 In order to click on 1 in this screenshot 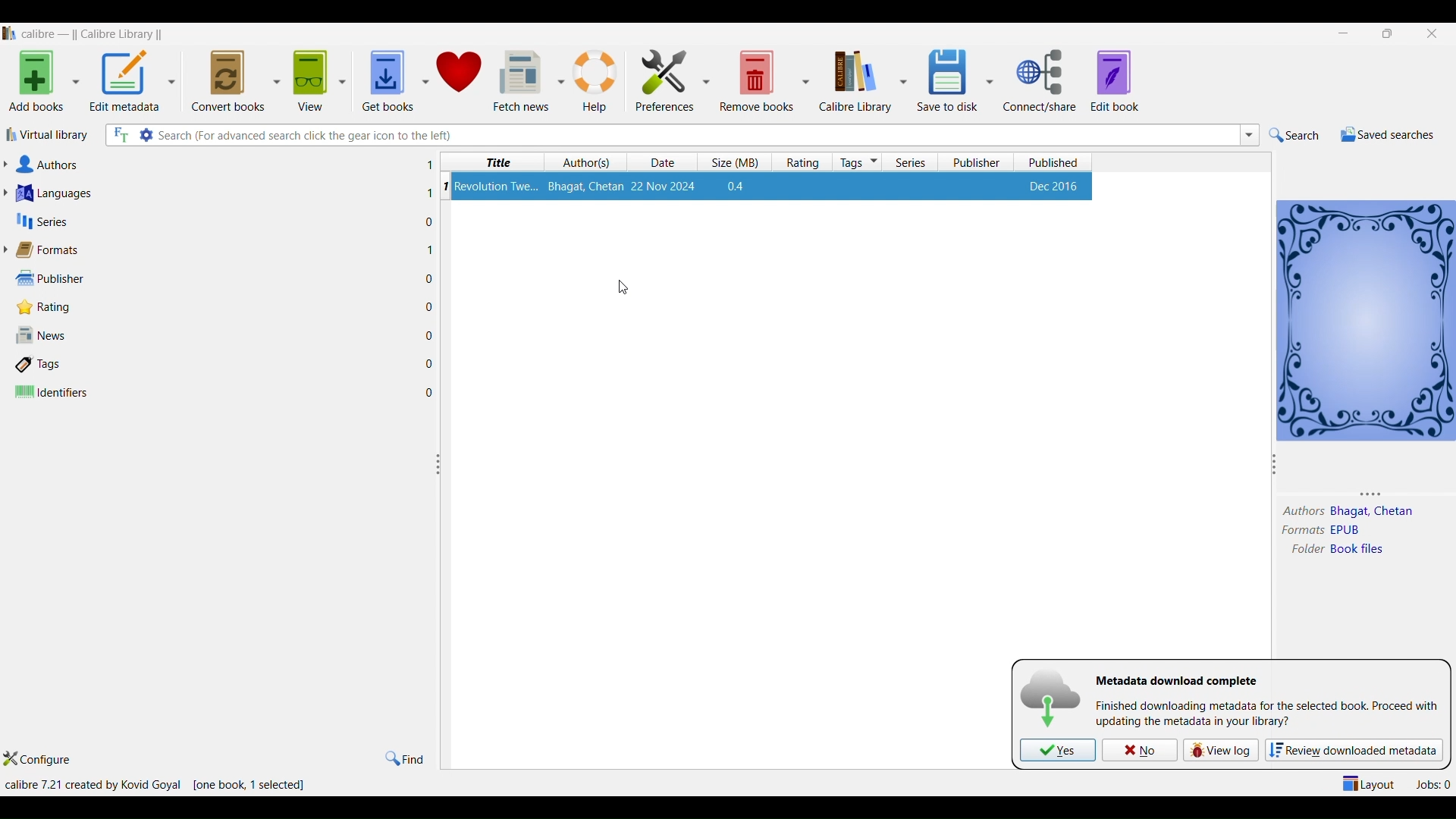, I will do `click(431, 250)`.